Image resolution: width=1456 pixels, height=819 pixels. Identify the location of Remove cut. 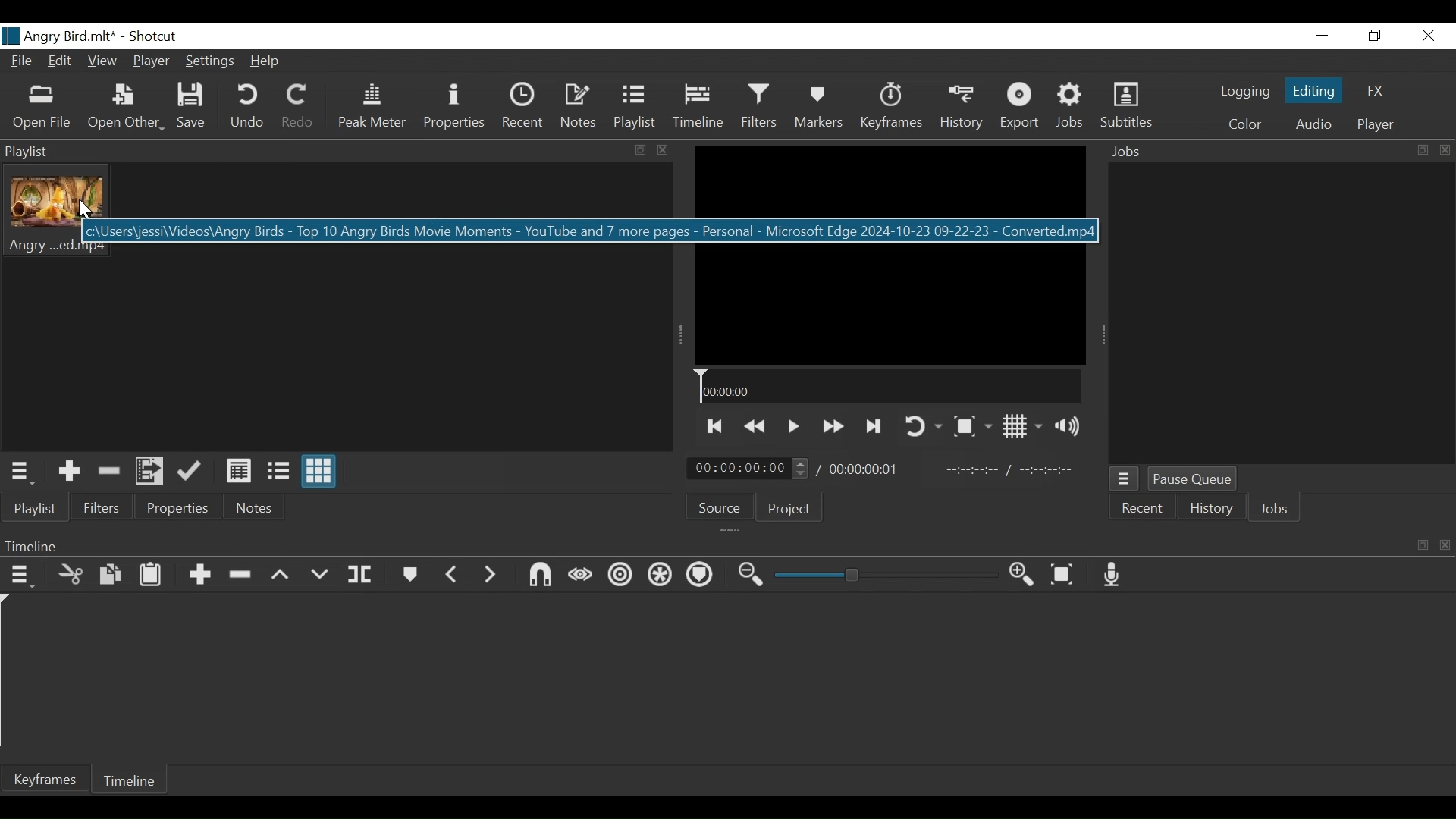
(105, 471).